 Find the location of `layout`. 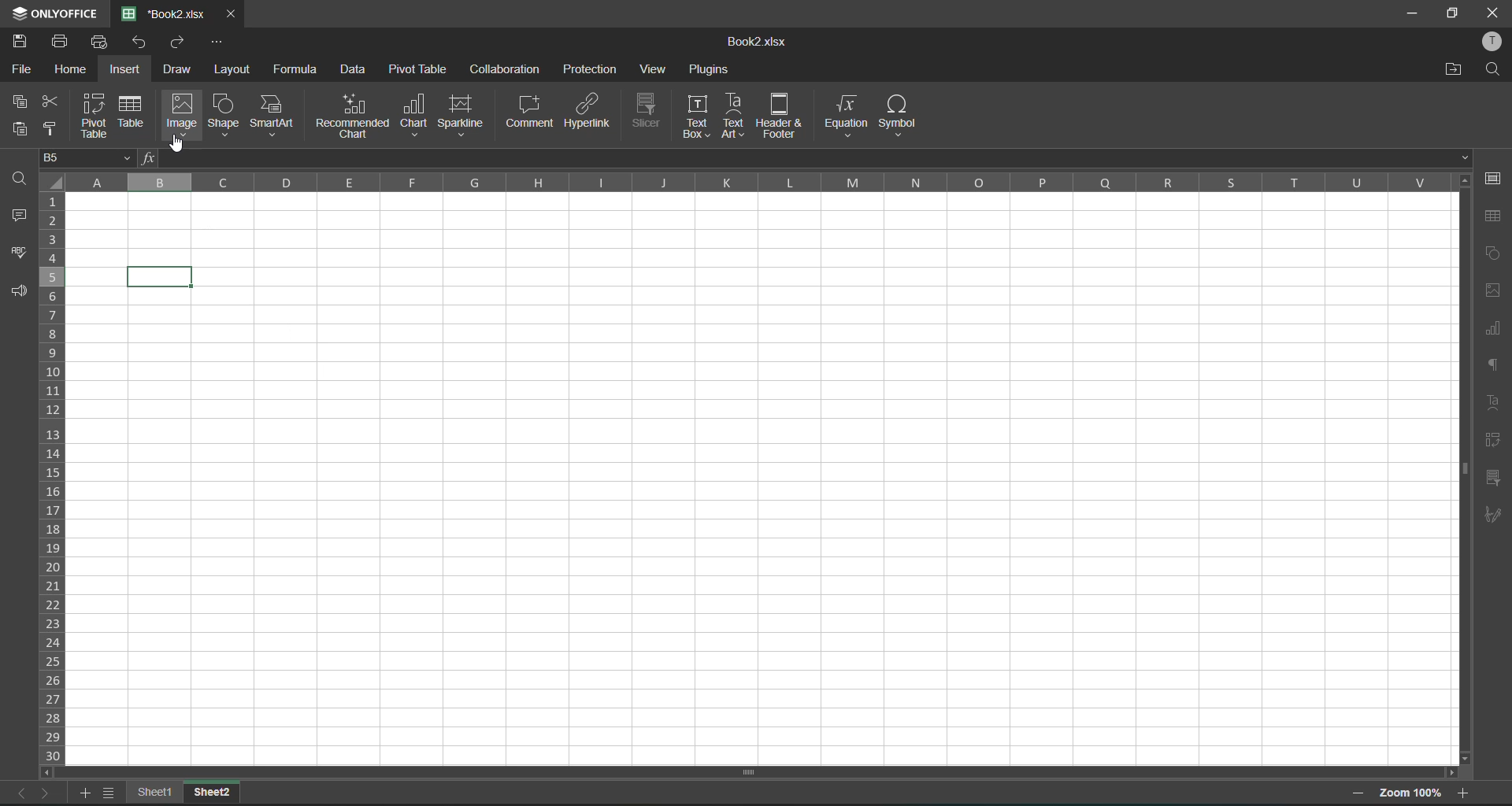

layout is located at coordinates (232, 70).